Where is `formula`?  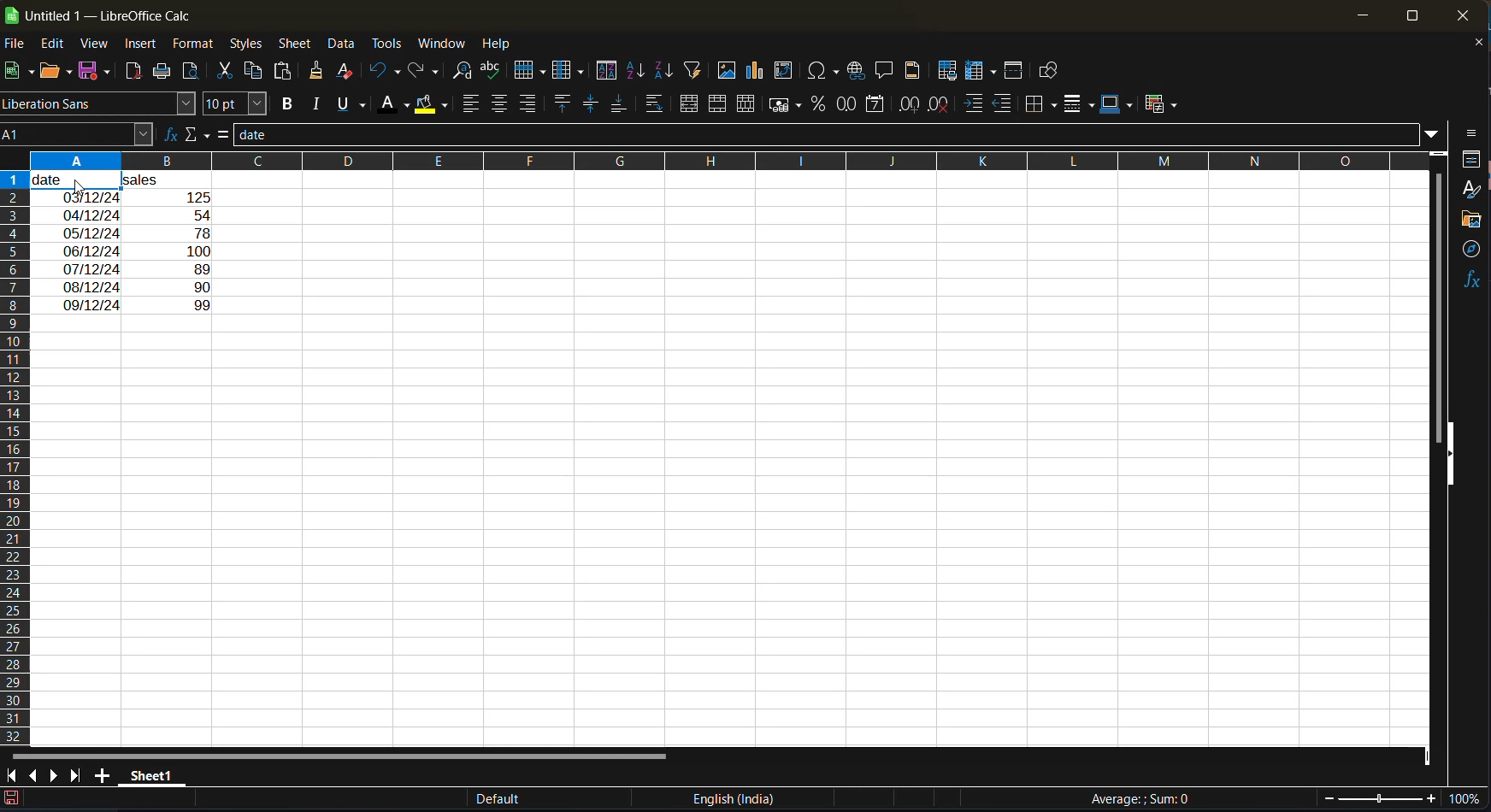
formula is located at coordinates (1146, 798).